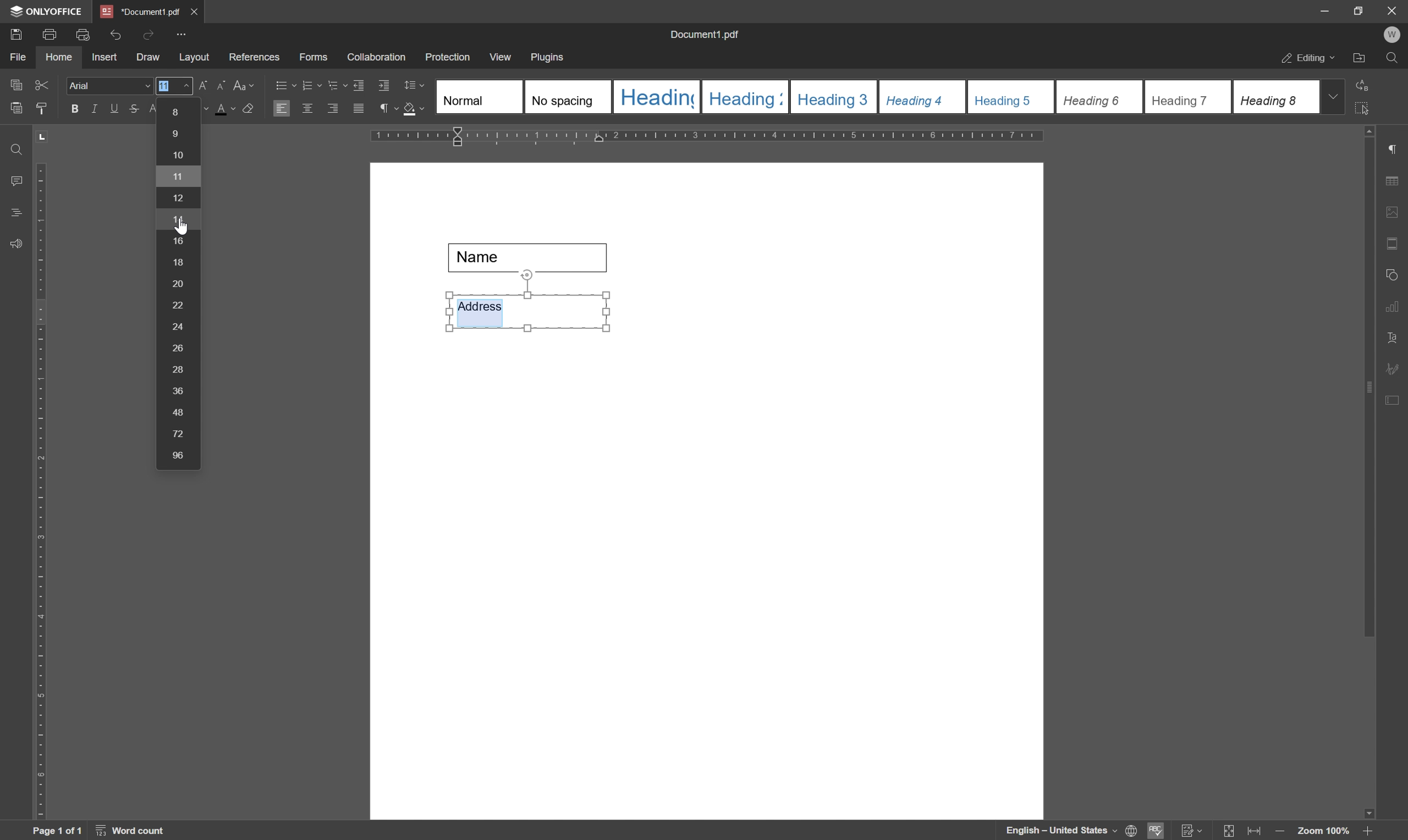 The height and width of the screenshot is (840, 1408). I want to click on text art settings, so click(1397, 338).